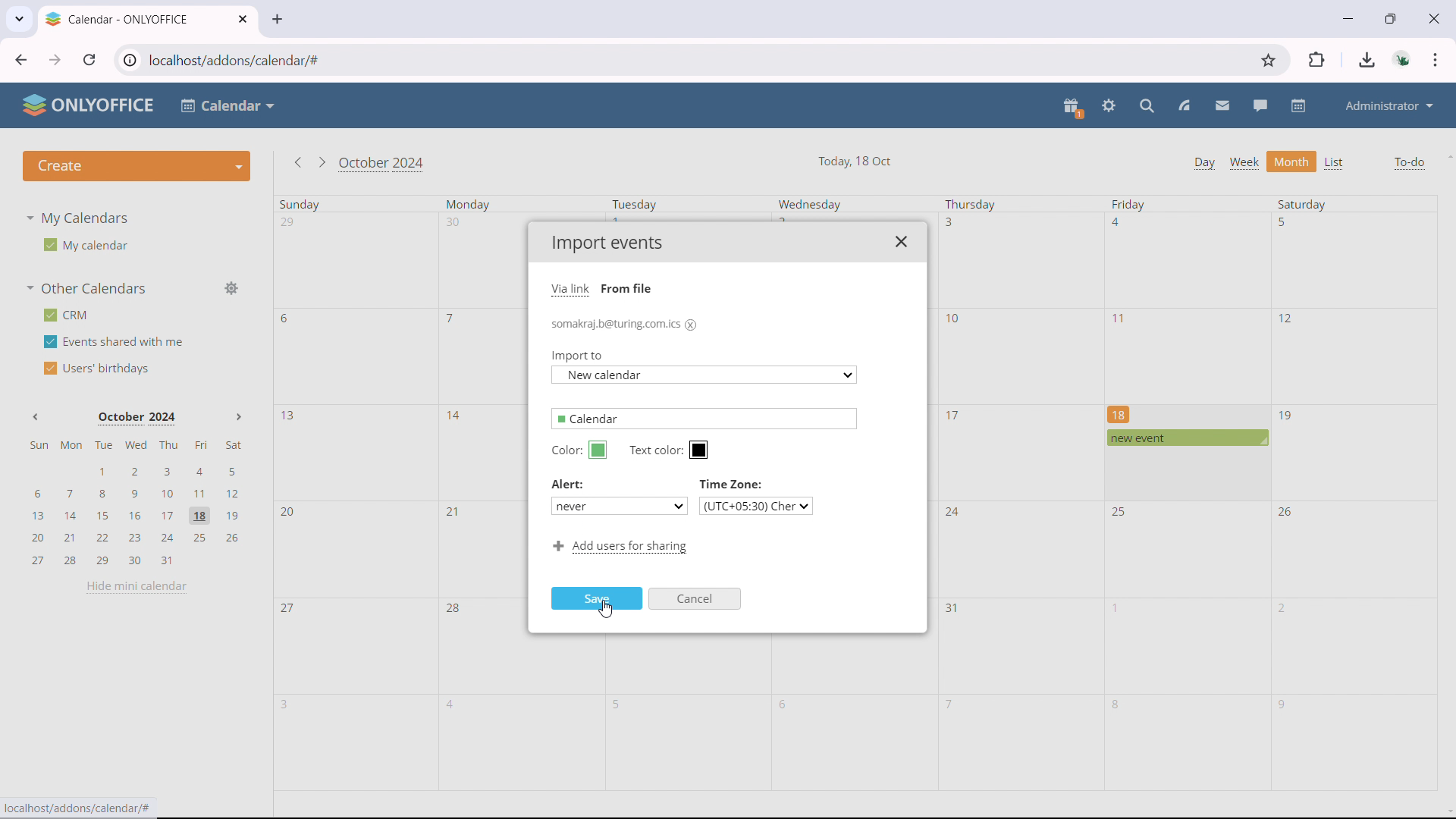 This screenshot has width=1456, height=819. What do you see at coordinates (950, 703) in the screenshot?
I see `7` at bounding box center [950, 703].